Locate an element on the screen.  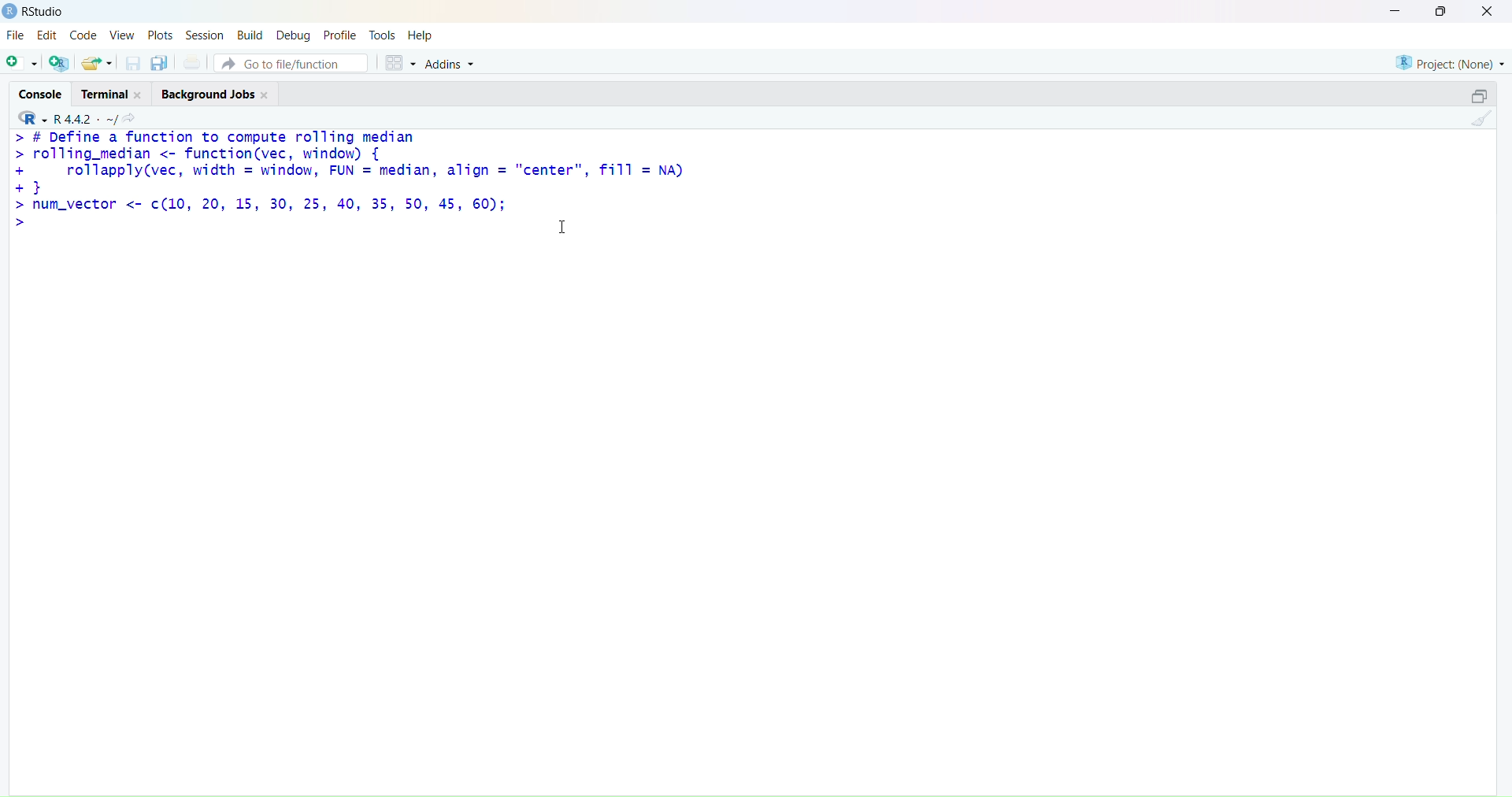
help is located at coordinates (422, 36).